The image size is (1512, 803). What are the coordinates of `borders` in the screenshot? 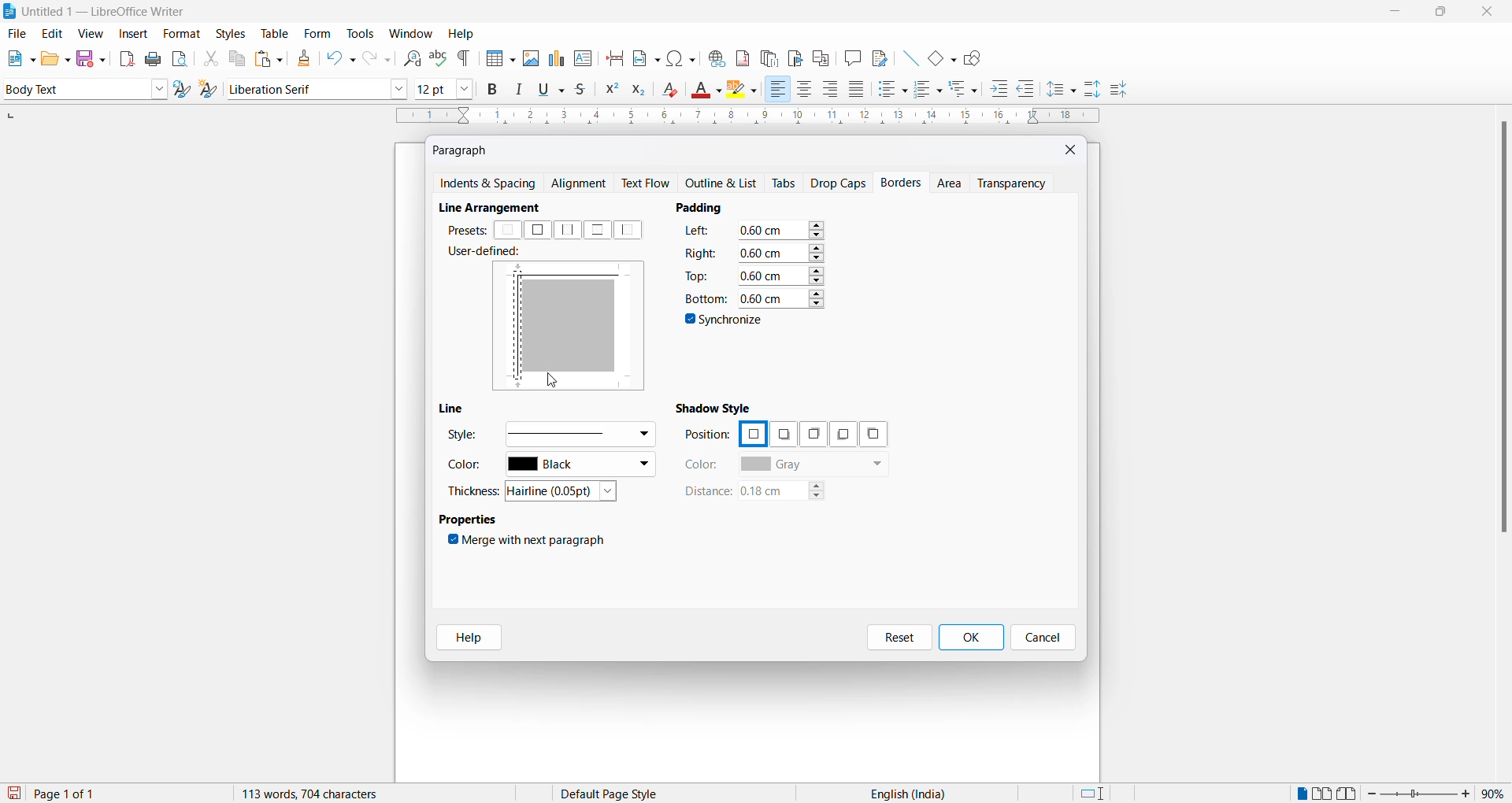 It's located at (903, 183).